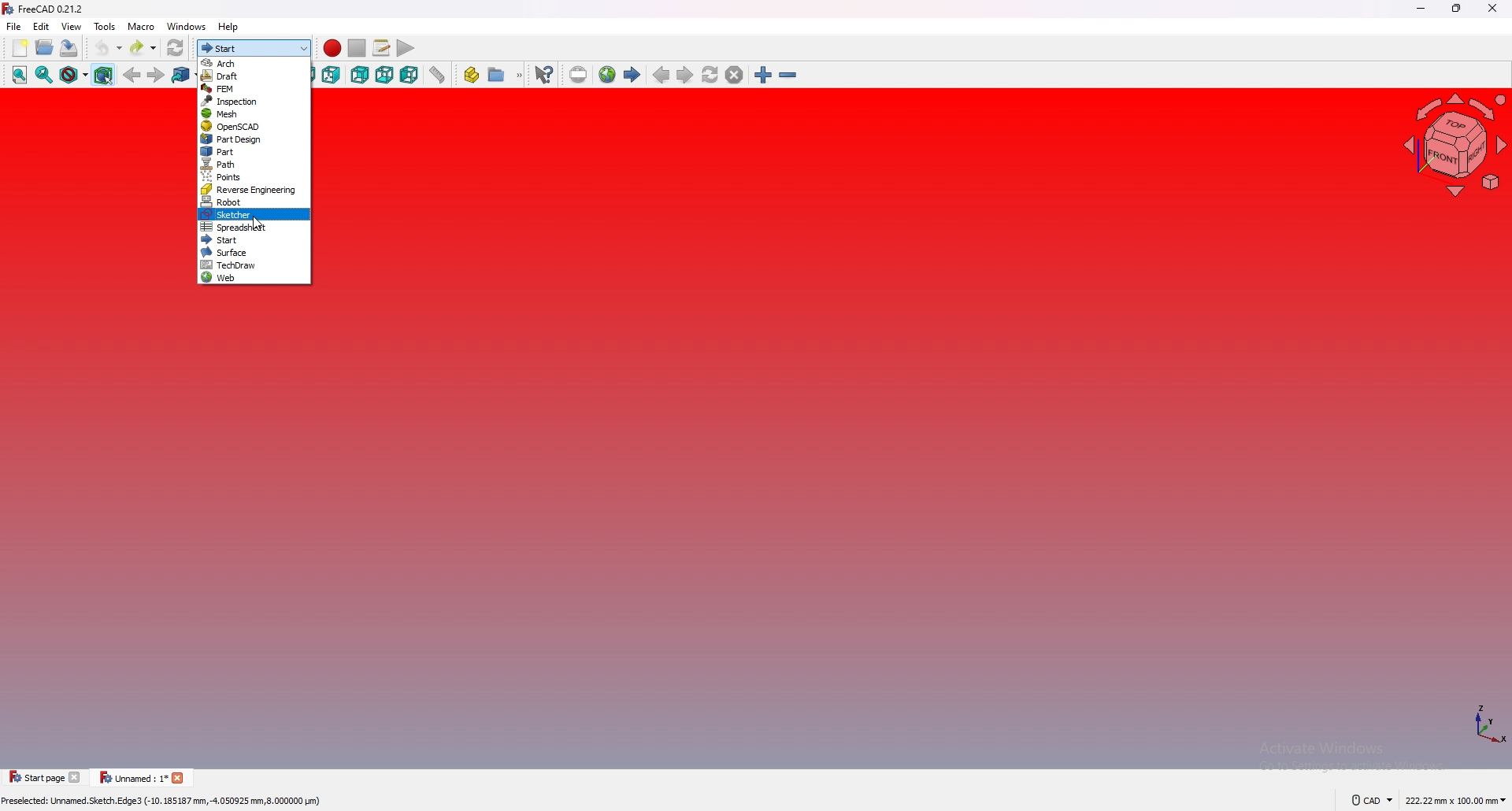  I want to click on file, so click(14, 26).